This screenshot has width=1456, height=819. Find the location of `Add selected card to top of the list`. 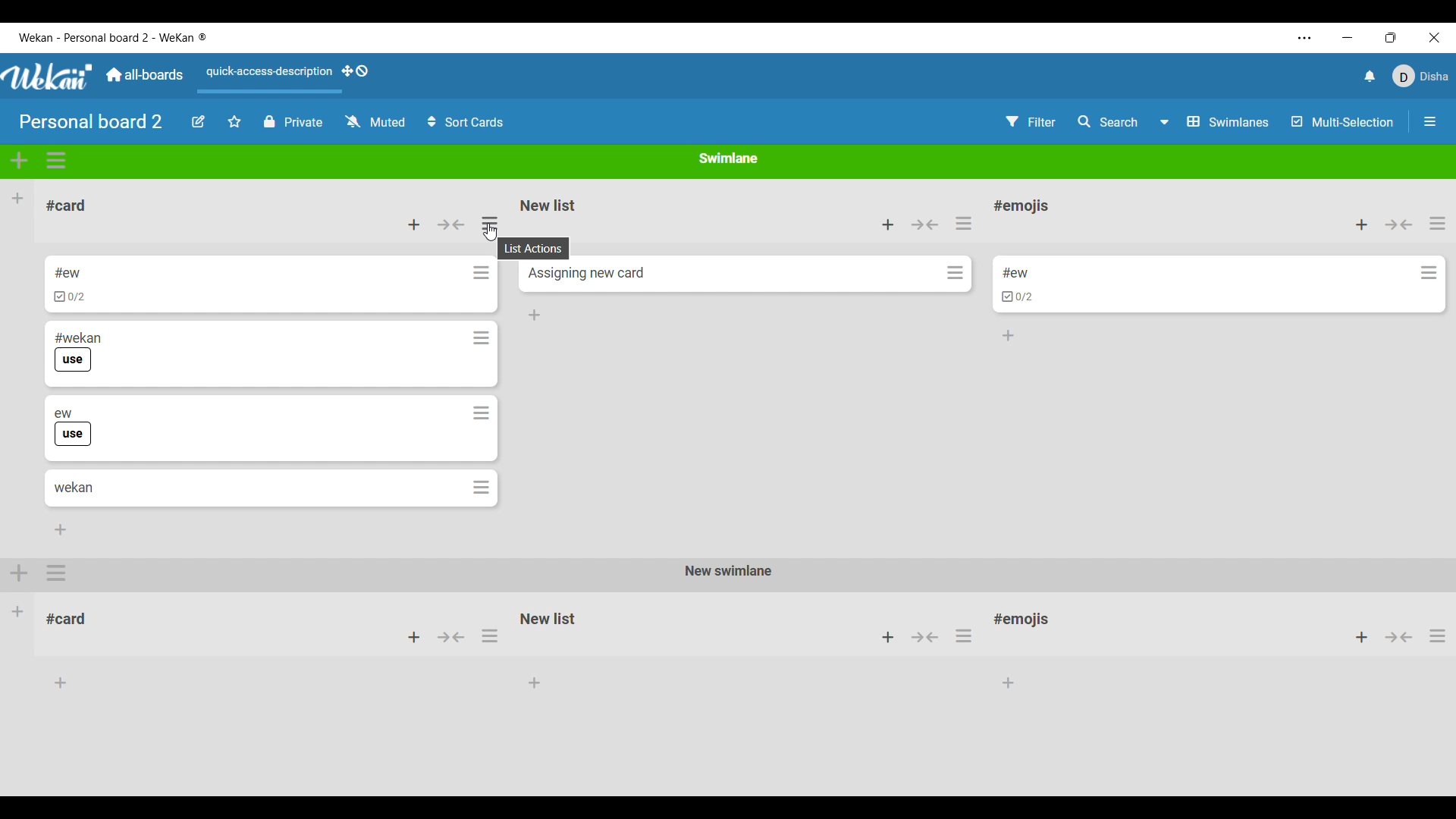

Add selected card to top of the list is located at coordinates (1362, 224).